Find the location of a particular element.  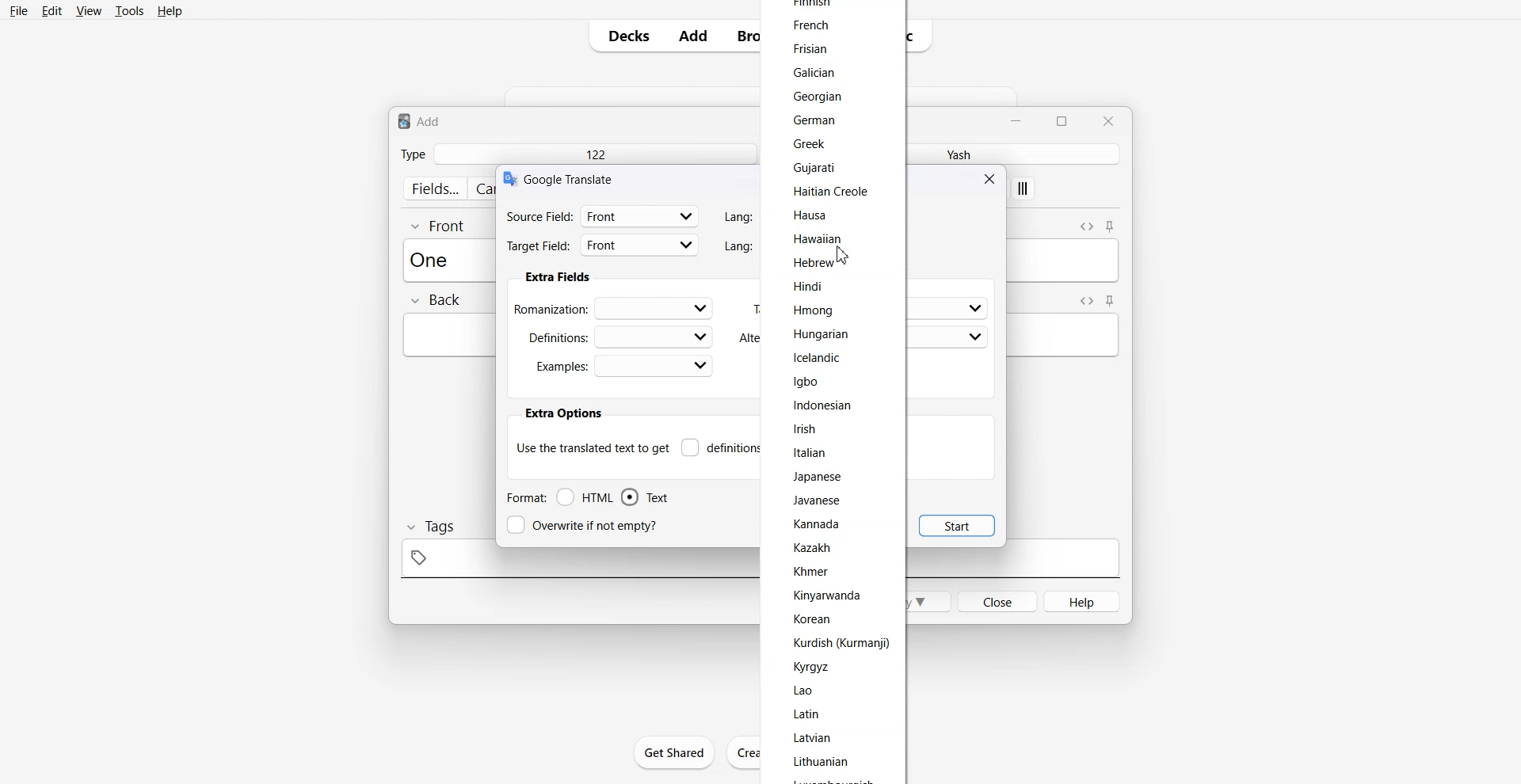

Close is located at coordinates (992, 178).